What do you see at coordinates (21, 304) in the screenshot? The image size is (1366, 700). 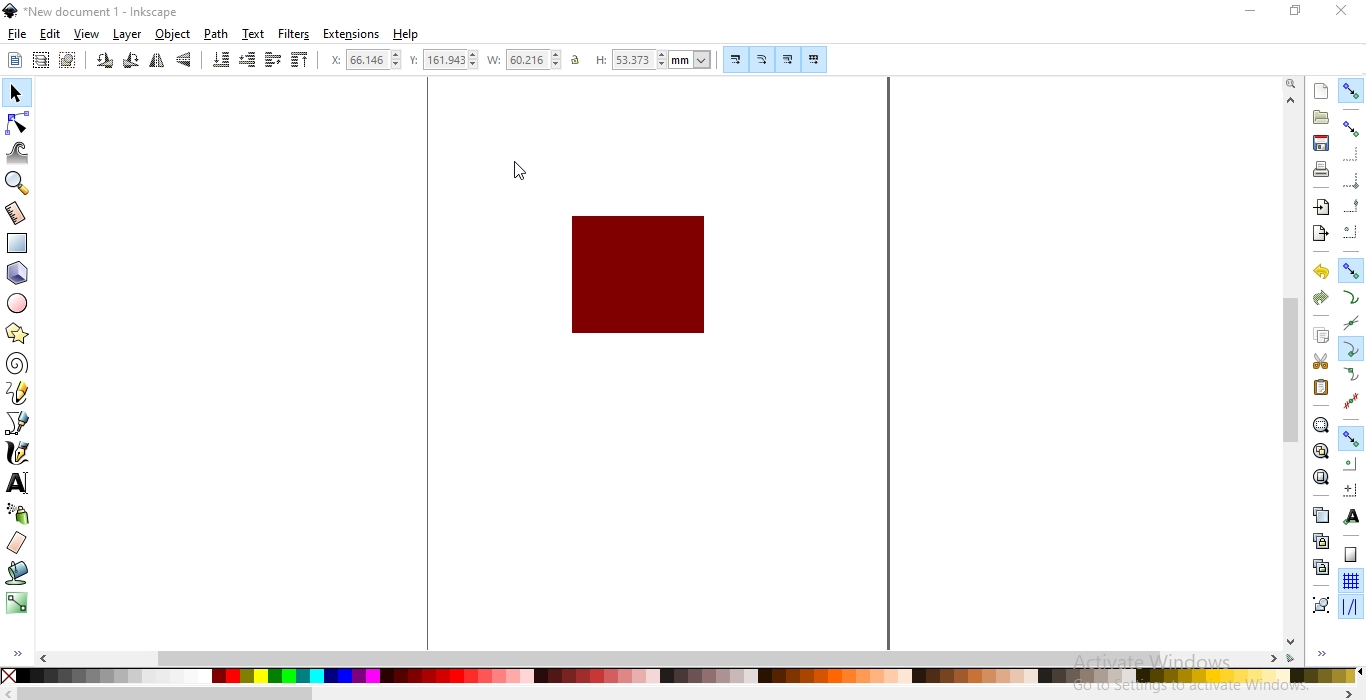 I see `creates circles, arcs and ellipses` at bounding box center [21, 304].